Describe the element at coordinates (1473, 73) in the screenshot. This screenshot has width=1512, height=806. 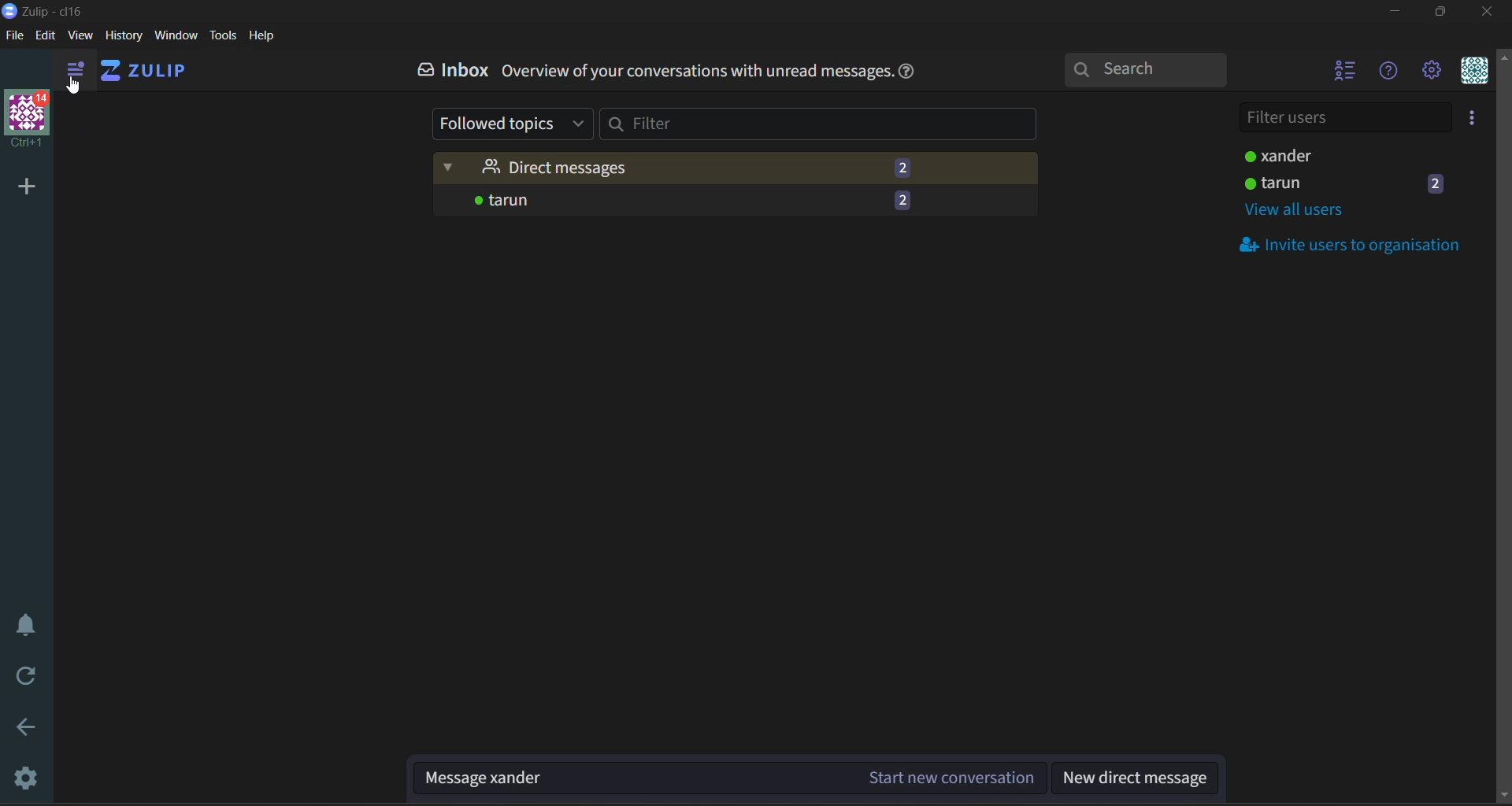
I see `personal menu` at that location.